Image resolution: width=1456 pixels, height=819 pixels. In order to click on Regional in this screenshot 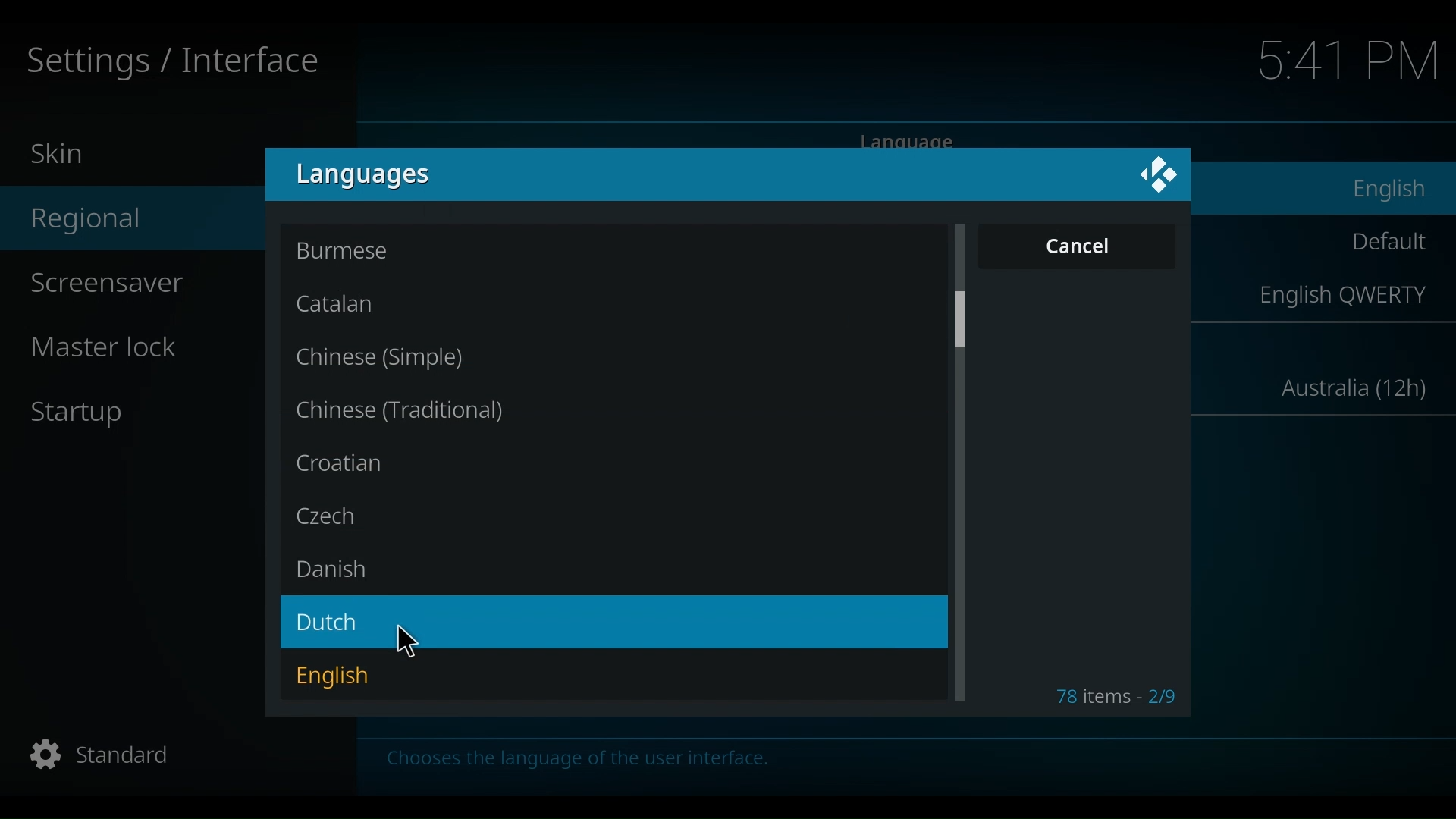, I will do `click(111, 222)`.